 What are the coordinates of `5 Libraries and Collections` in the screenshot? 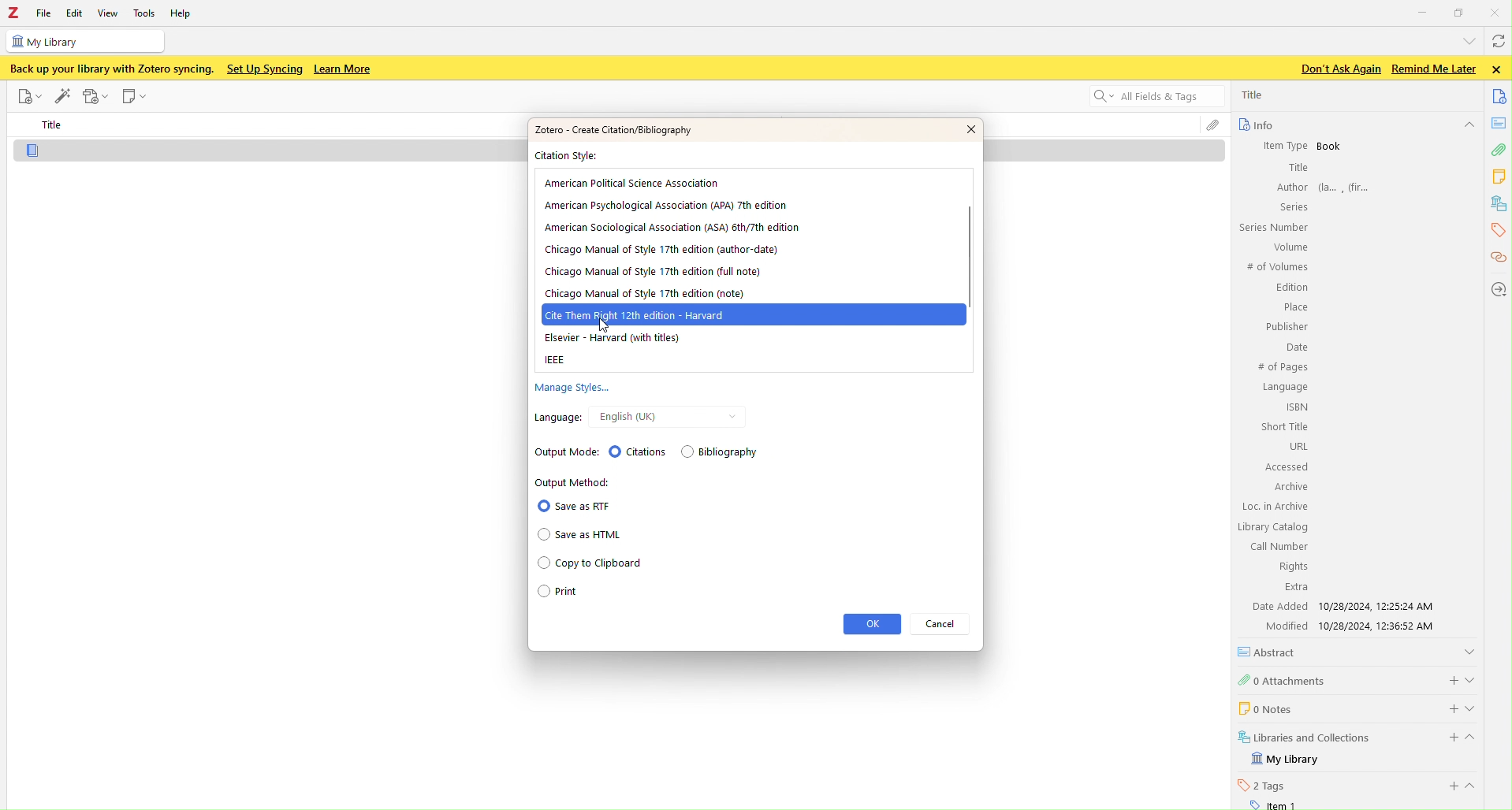 It's located at (1305, 736).